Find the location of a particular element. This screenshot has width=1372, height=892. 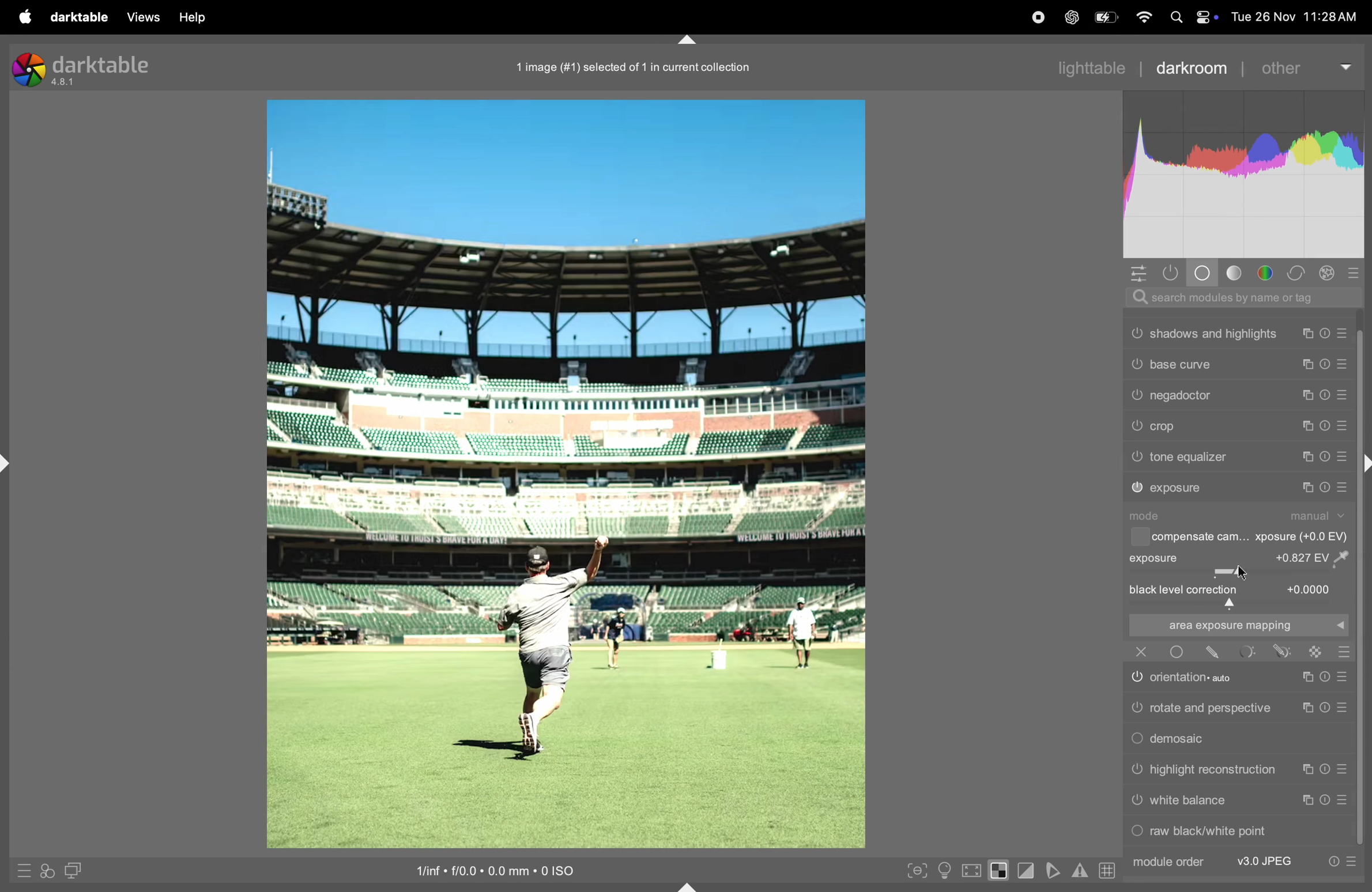

reset presets is located at coordinates (1325, 366).